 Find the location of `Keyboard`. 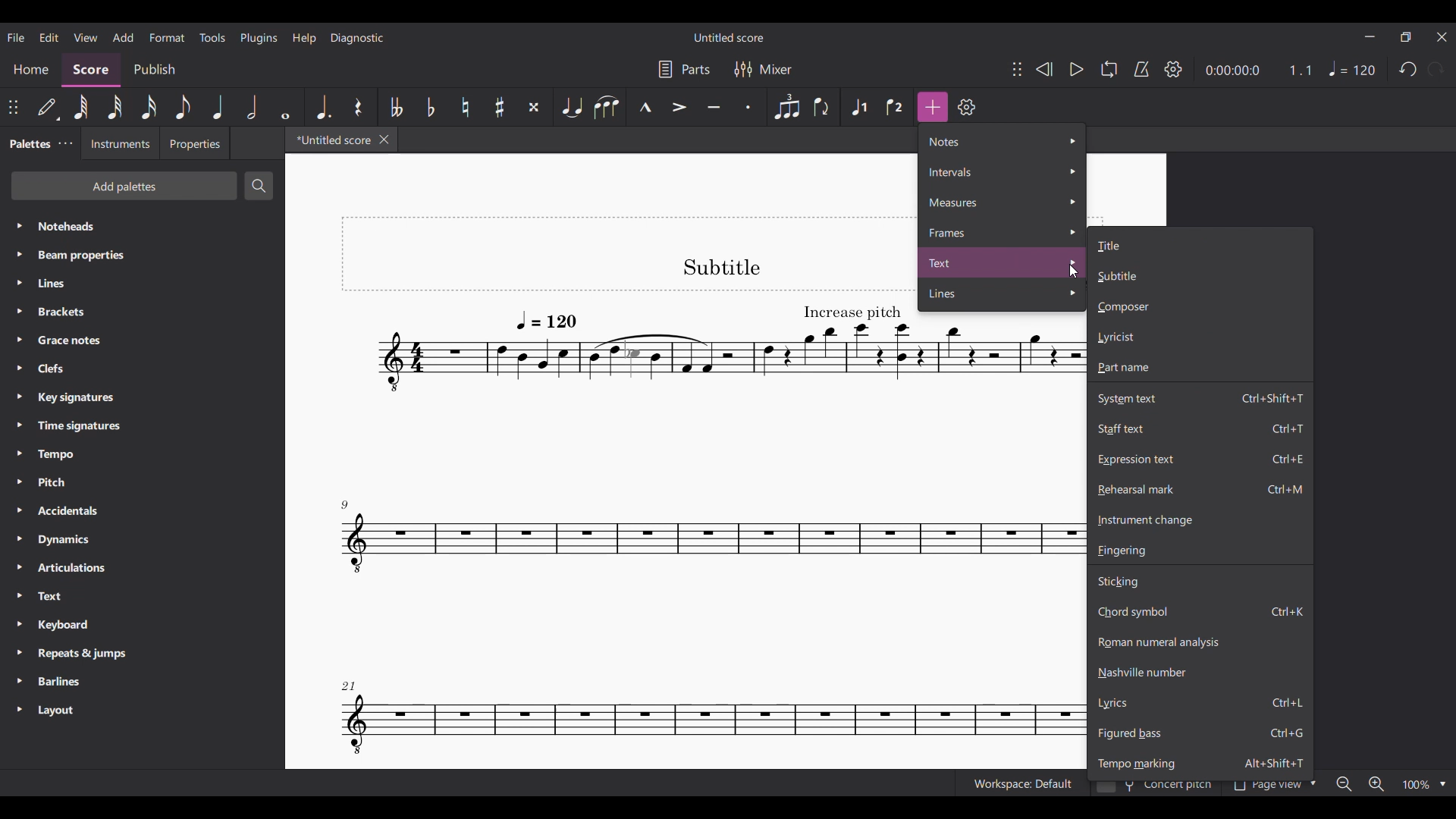

Keyboard is located at coordinates (143, 624).